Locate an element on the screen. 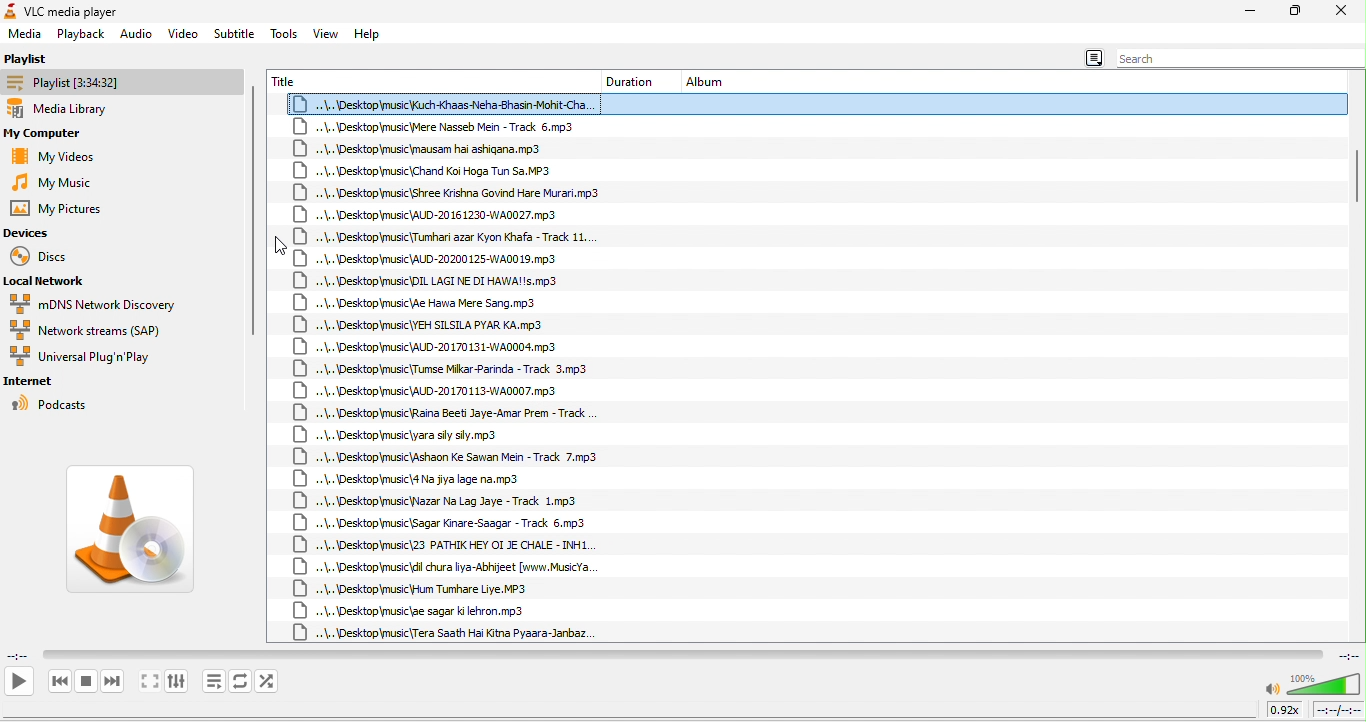 The height and width of the screenshot is (722, 1366). playlist [3:34:32] is located at coordinates (120, 81).